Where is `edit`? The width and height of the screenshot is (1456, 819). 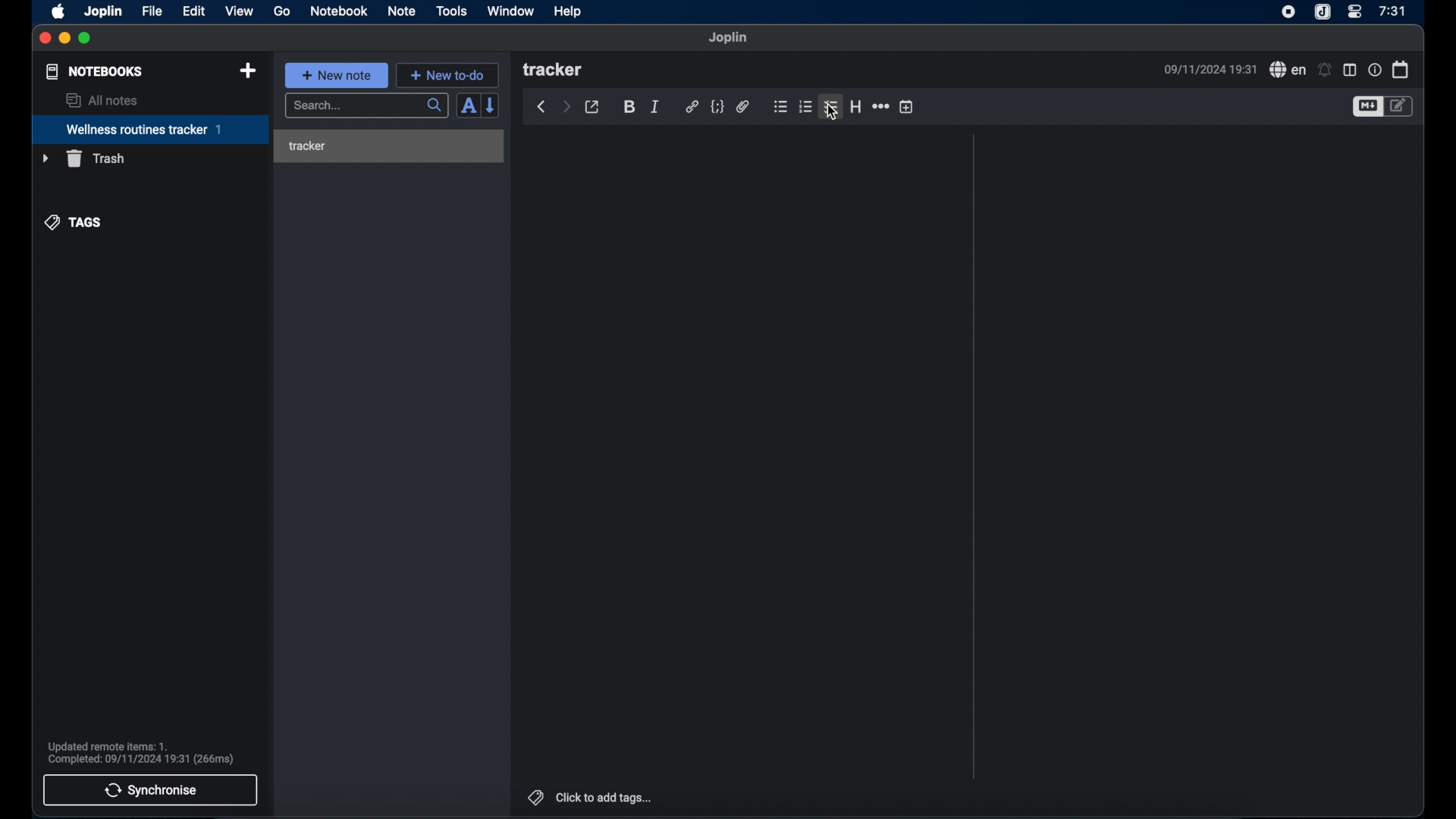 edit is located at coordinates (193, 11).